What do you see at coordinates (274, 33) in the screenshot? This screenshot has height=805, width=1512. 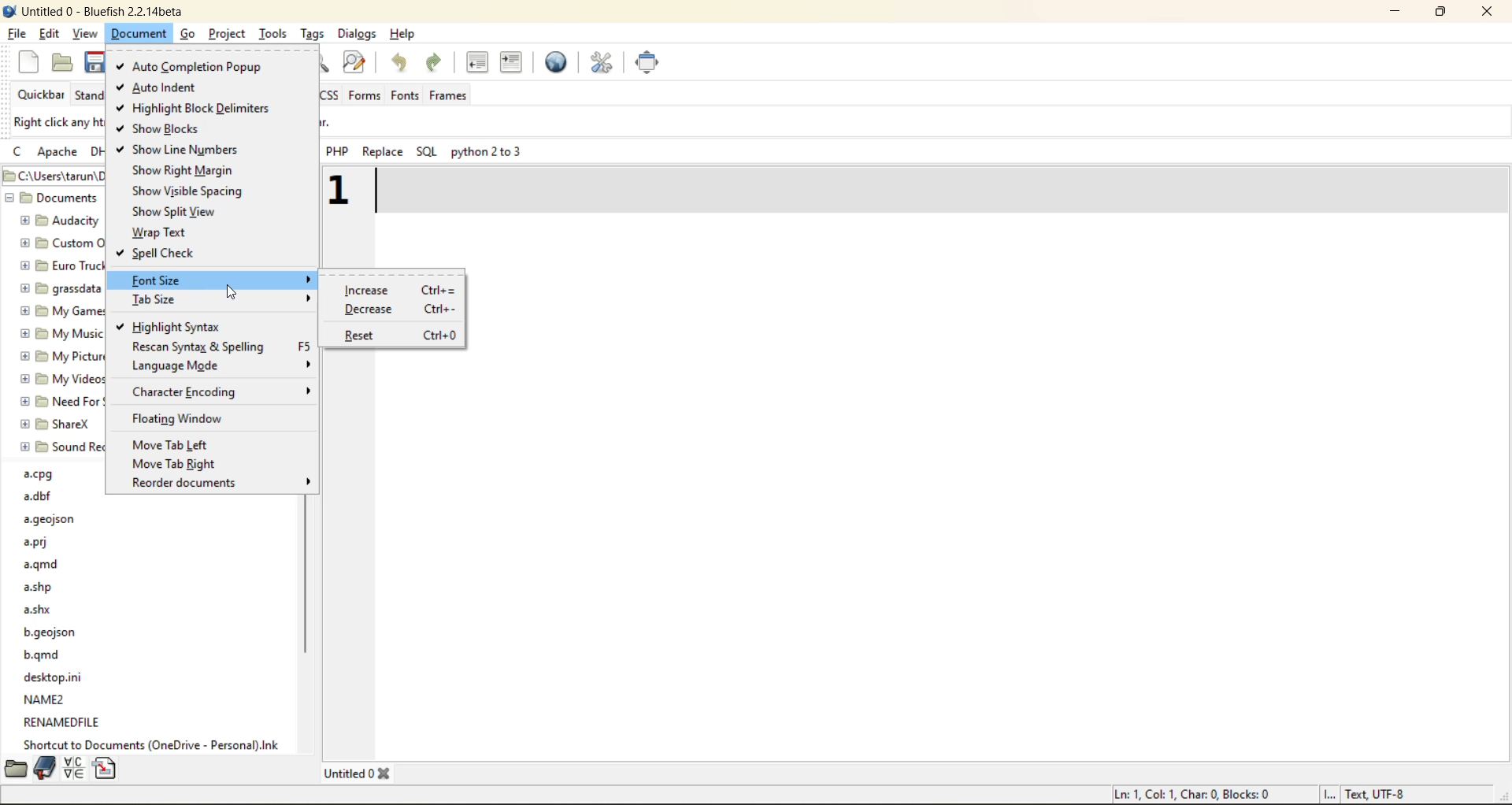 I see `tools` at bounding box center [274, 33].